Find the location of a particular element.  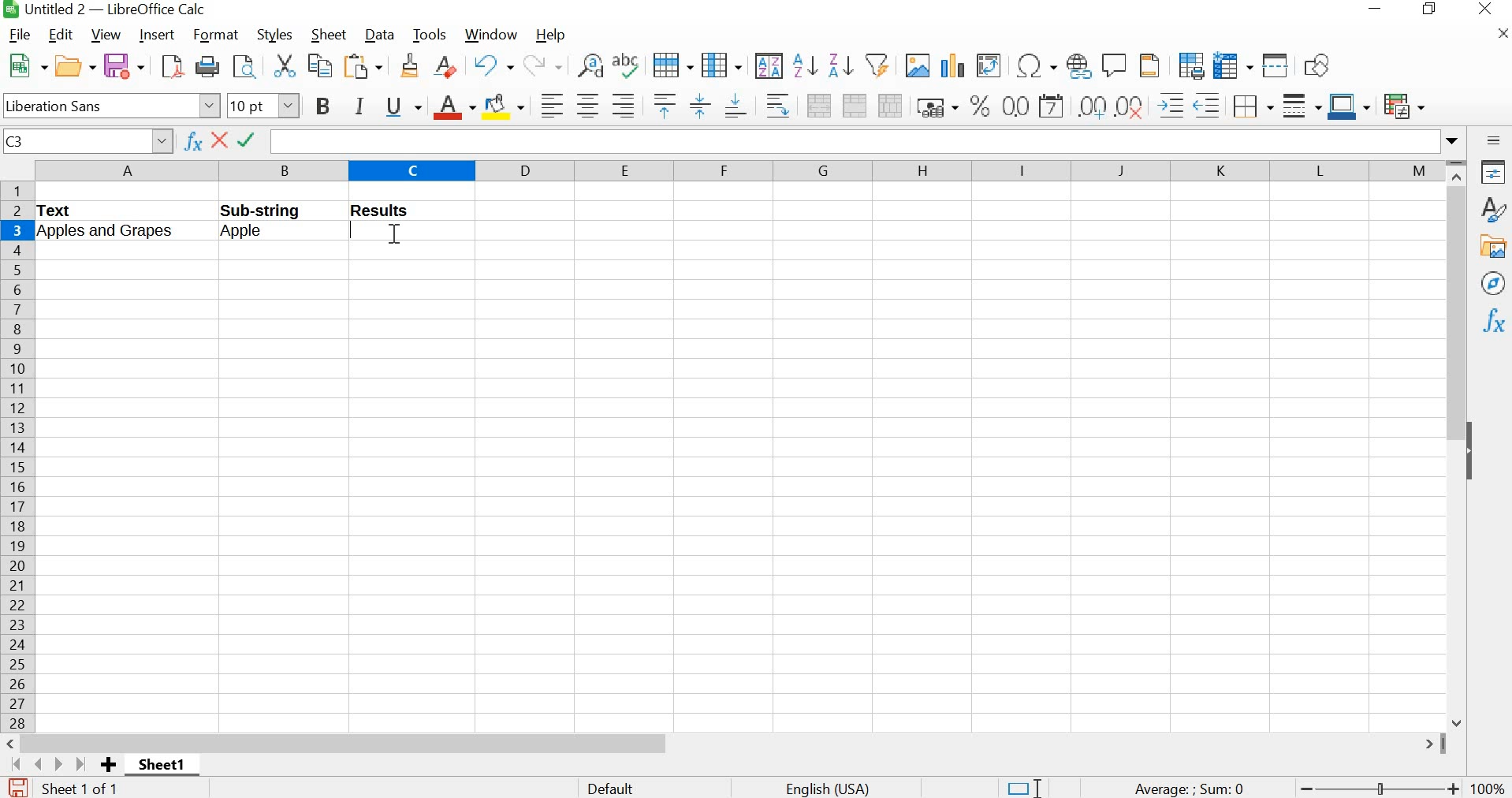

styles is located at coordinates (272, 33).